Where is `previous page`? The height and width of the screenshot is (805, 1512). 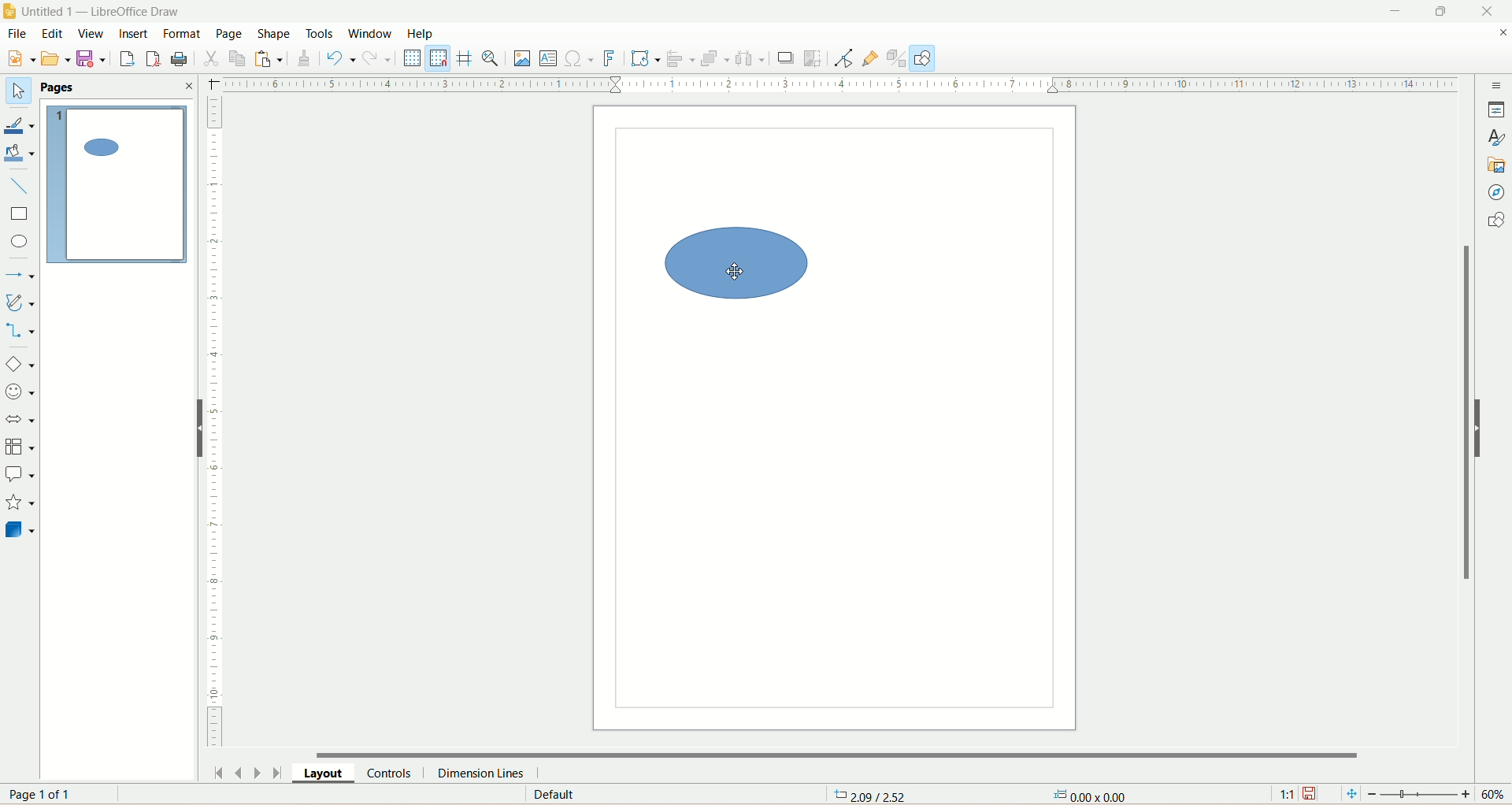 previous page is located at coordinates (239, 772).